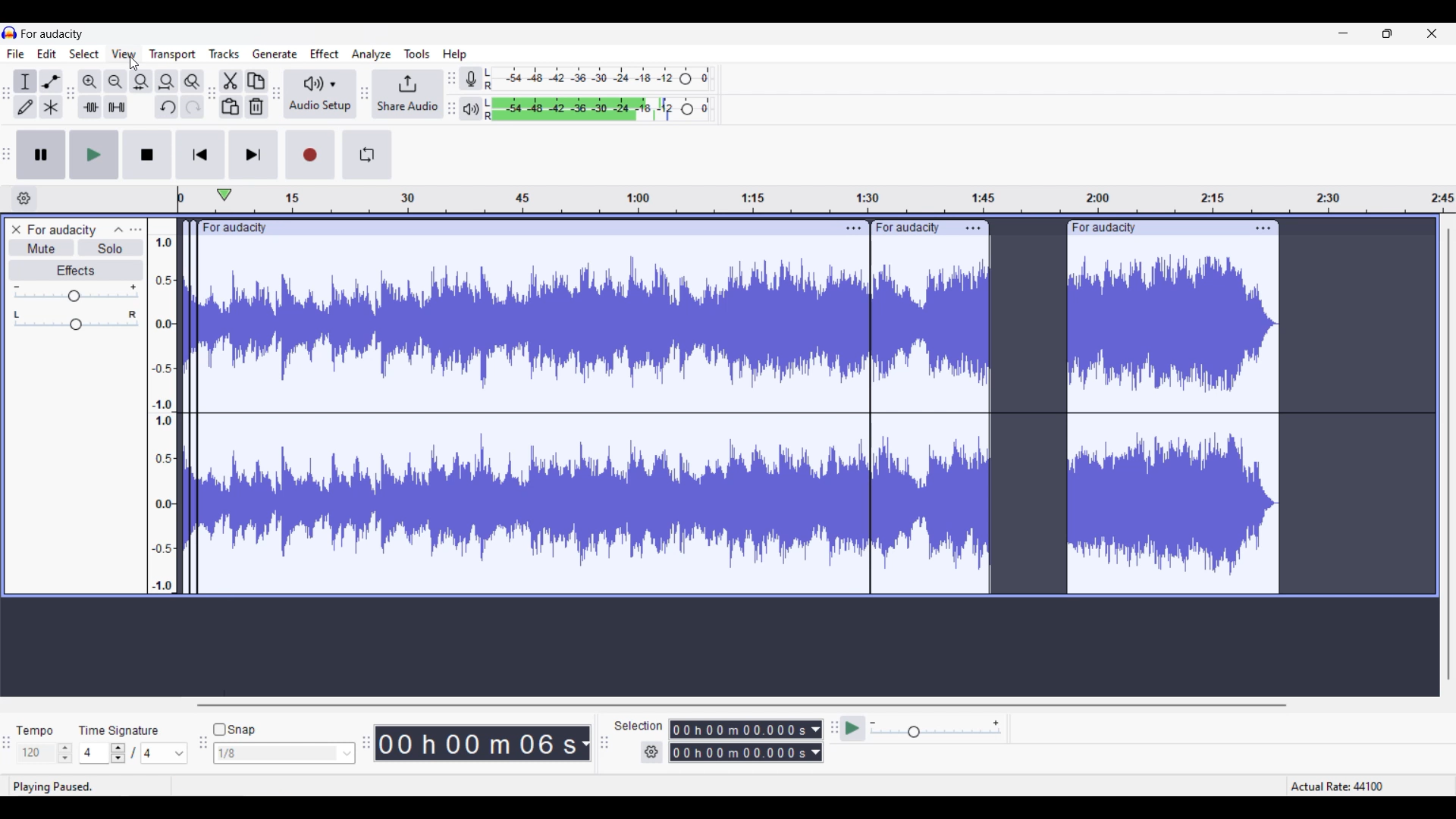  I want to click on Pan slider, so click(76, 320).